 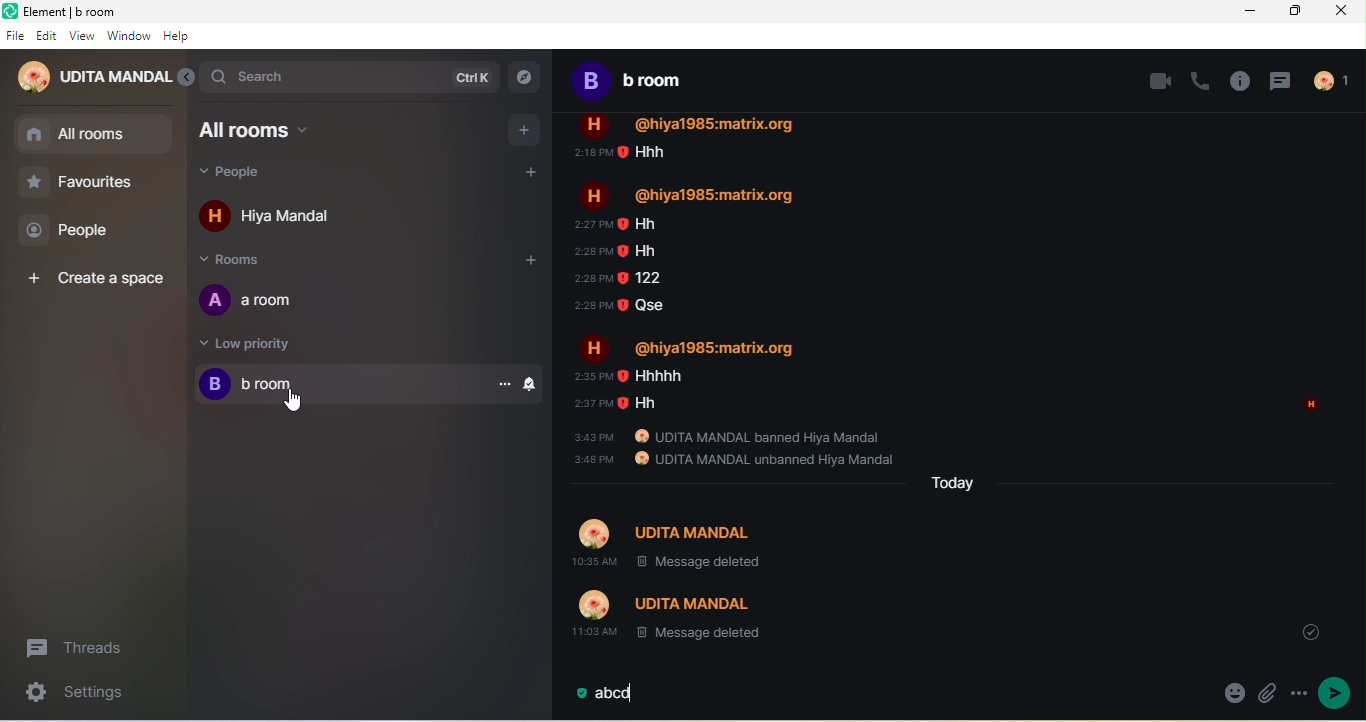 What do you see at coordinates (350, 77) in the screenshot?
I see `search` at bounding box center [350, 77].